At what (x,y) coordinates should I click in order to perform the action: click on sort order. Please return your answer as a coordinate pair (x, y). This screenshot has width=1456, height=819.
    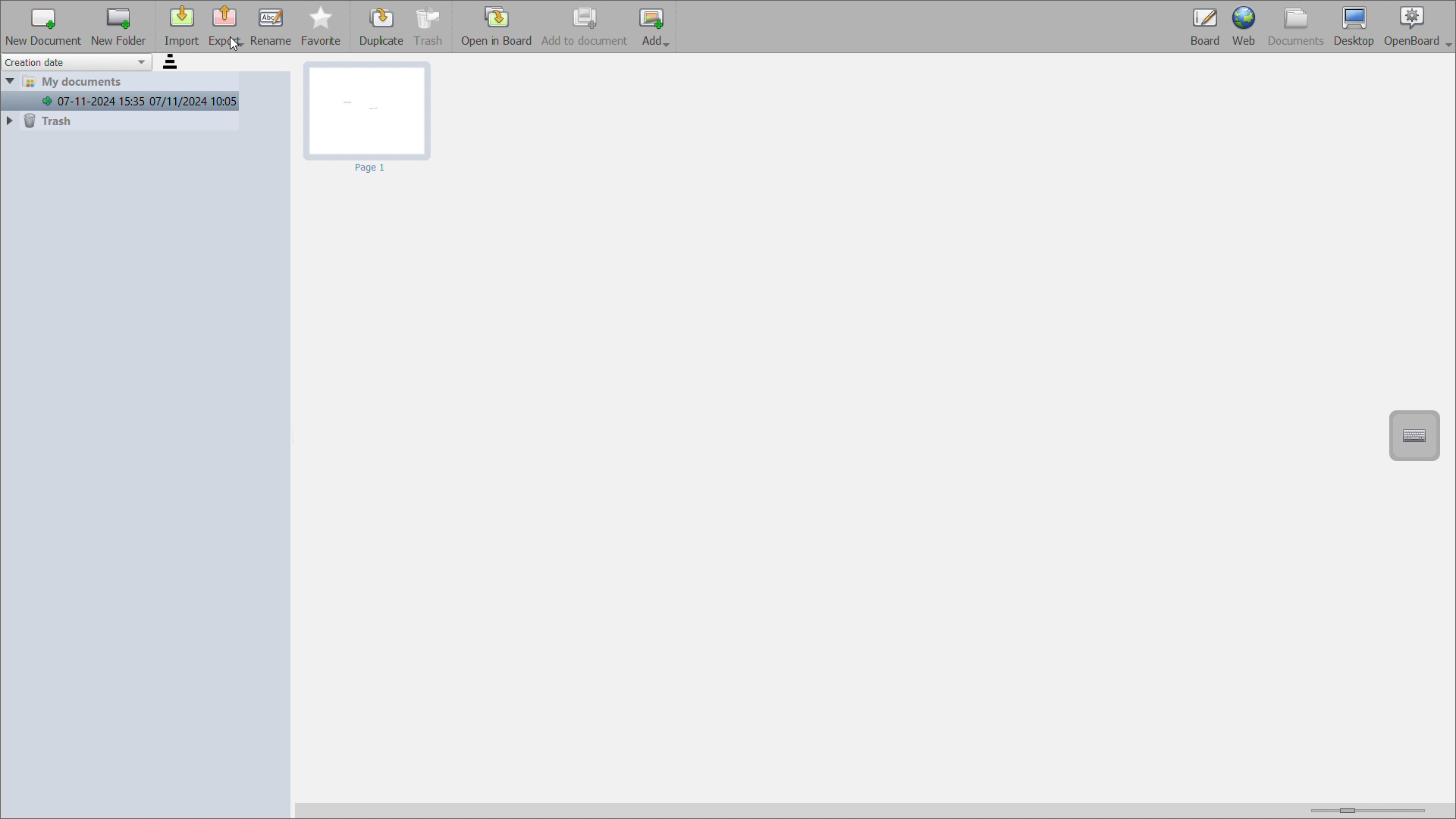
    Looking at the image, I should click on (171, 62).